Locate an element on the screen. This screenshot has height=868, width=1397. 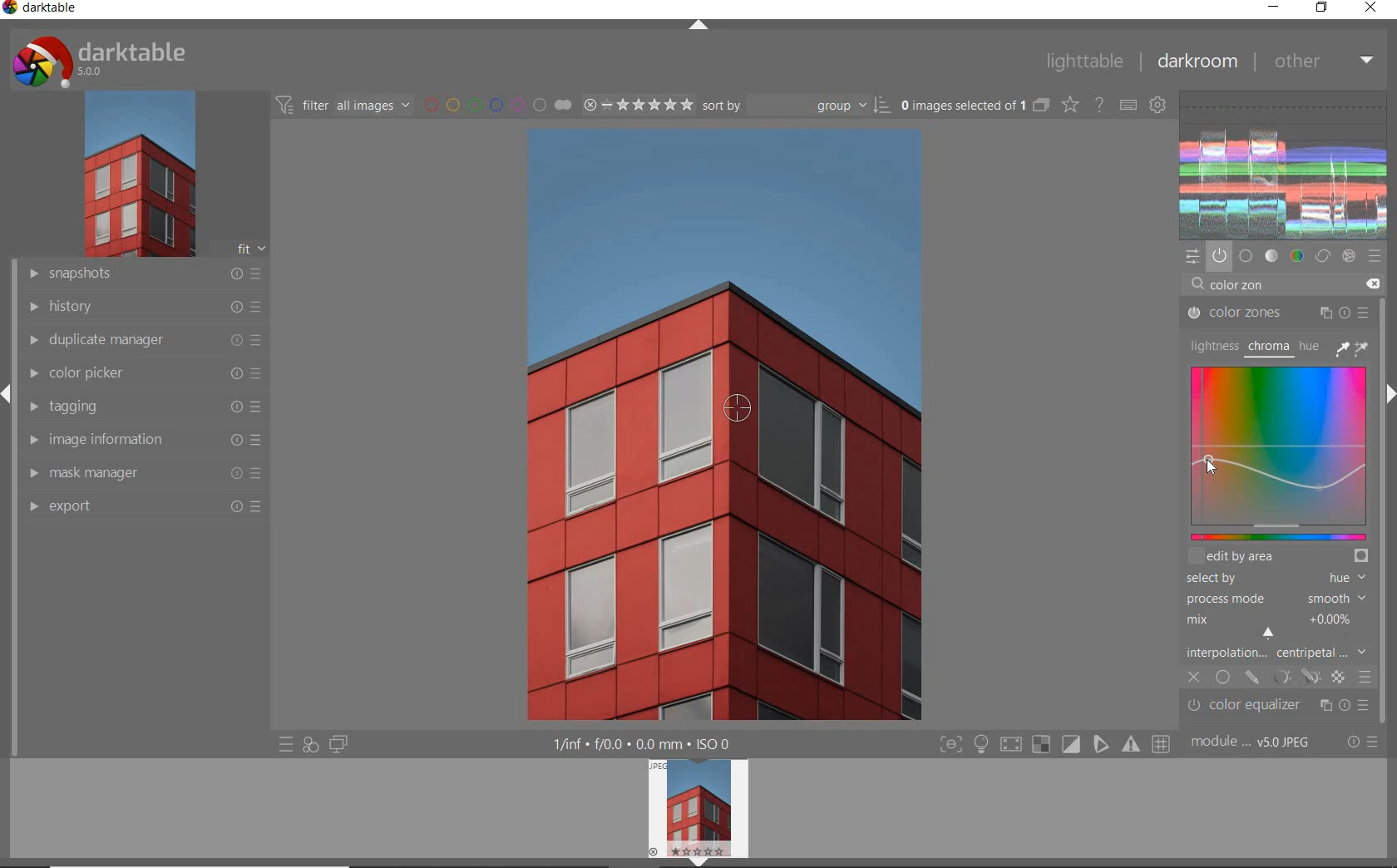
HUE is located at coordinates (1307, 345).